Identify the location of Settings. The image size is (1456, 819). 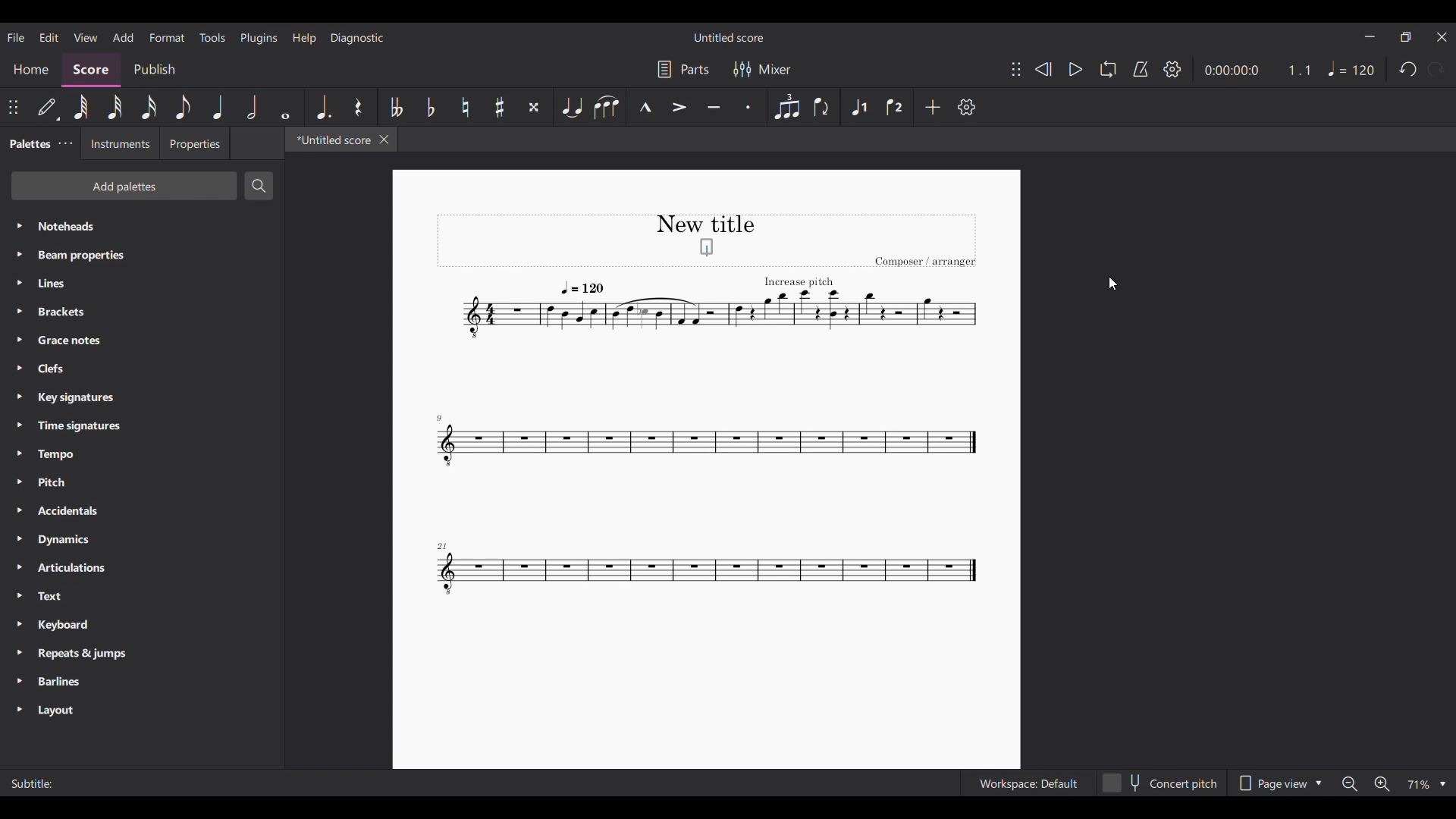
(1172, 69).